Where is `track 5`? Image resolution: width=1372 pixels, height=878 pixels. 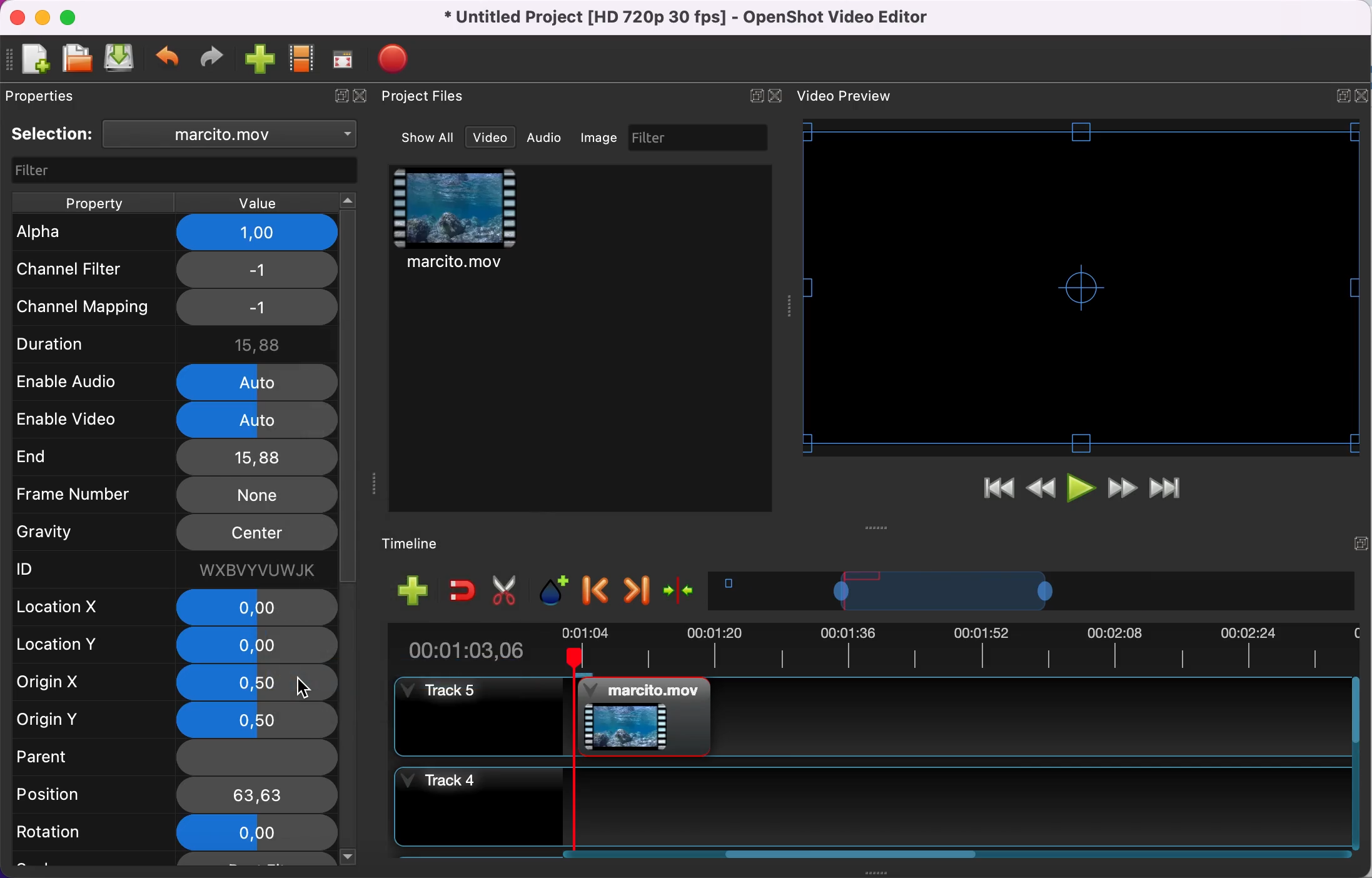
track 5 is located at coordinates (870, 717).